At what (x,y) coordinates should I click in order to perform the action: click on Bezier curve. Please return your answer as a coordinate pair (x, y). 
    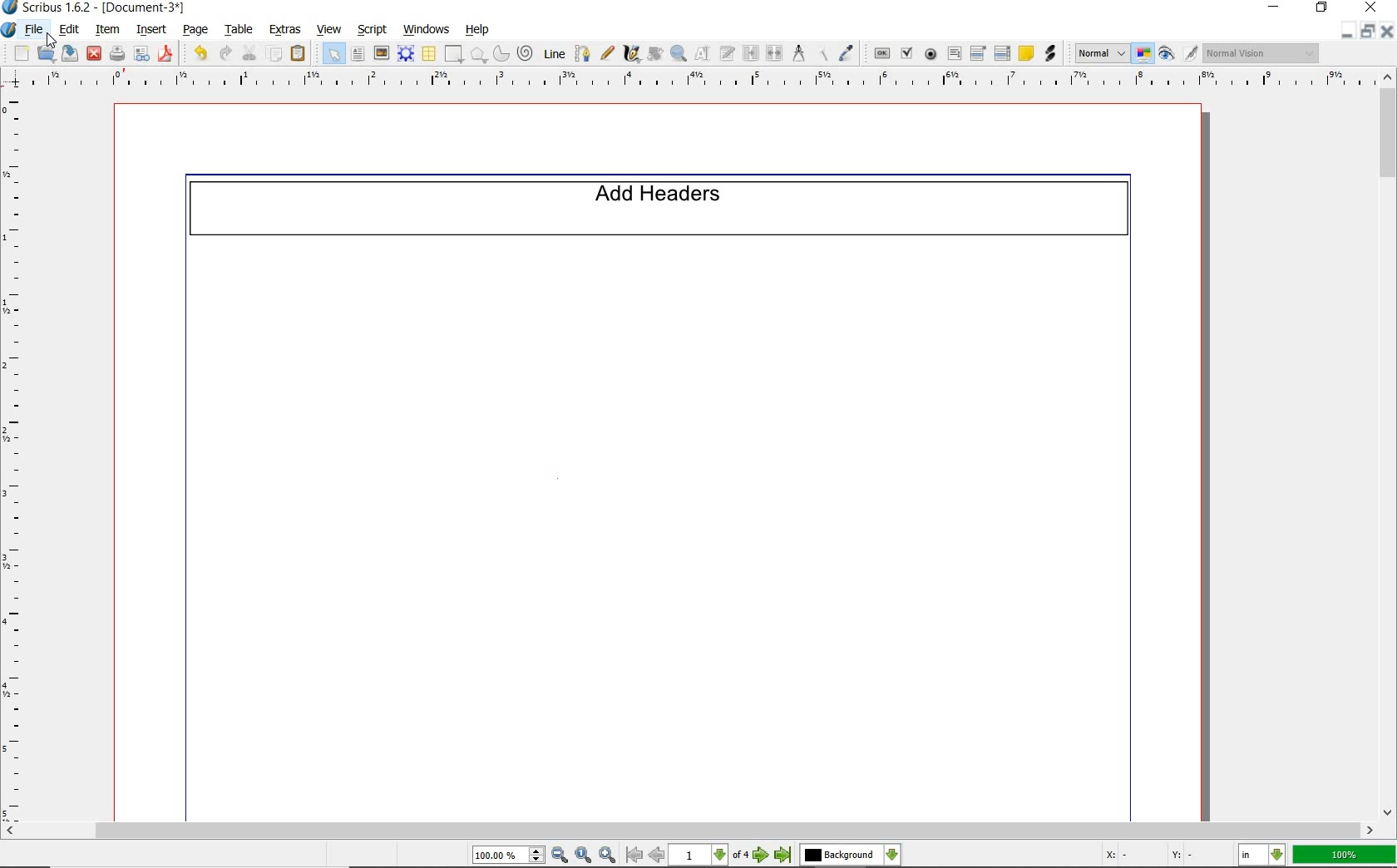
    Looking at the image, I should click on (582, 53).